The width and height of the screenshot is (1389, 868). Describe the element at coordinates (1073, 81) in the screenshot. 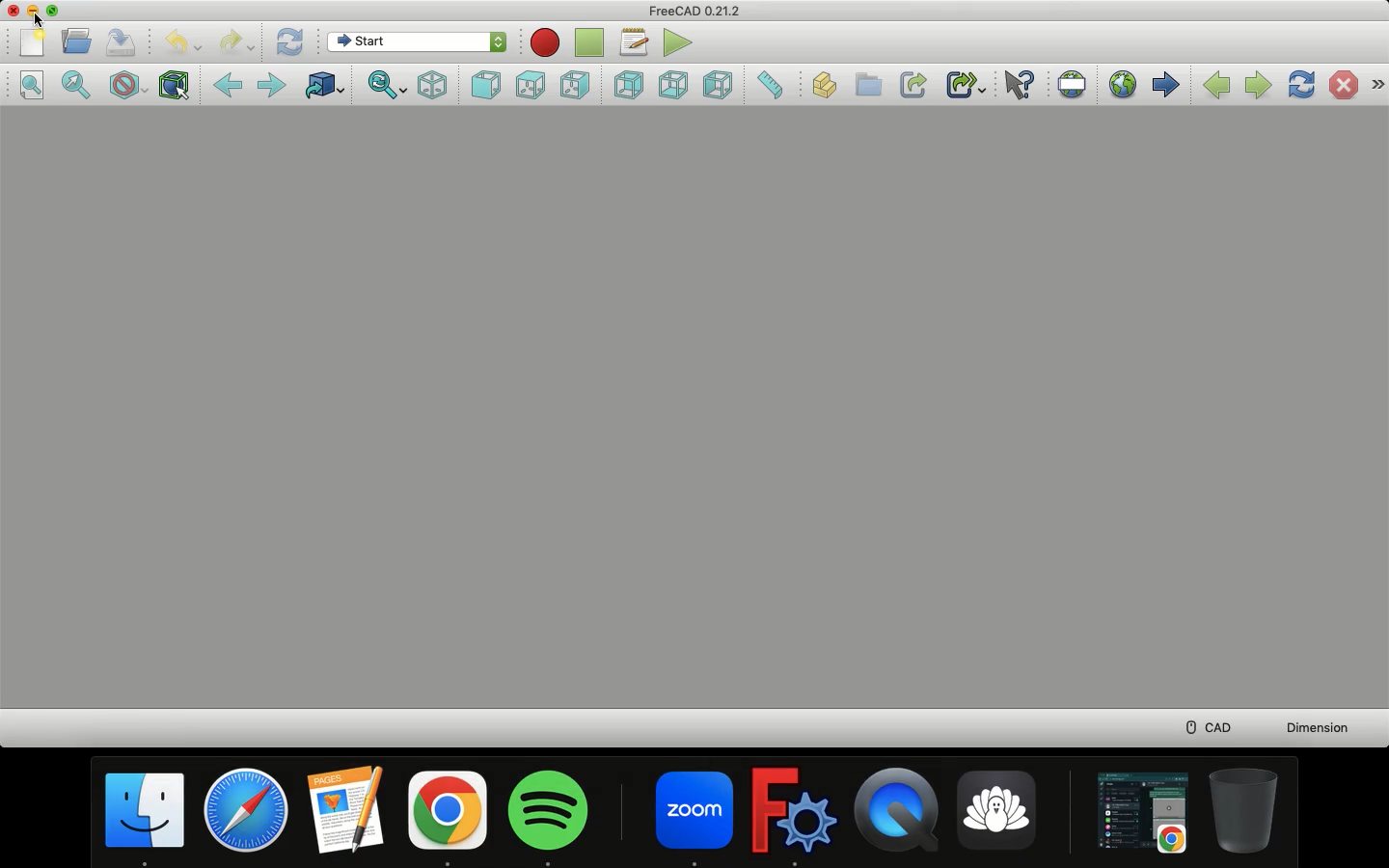

I see `Set URL` at that location.